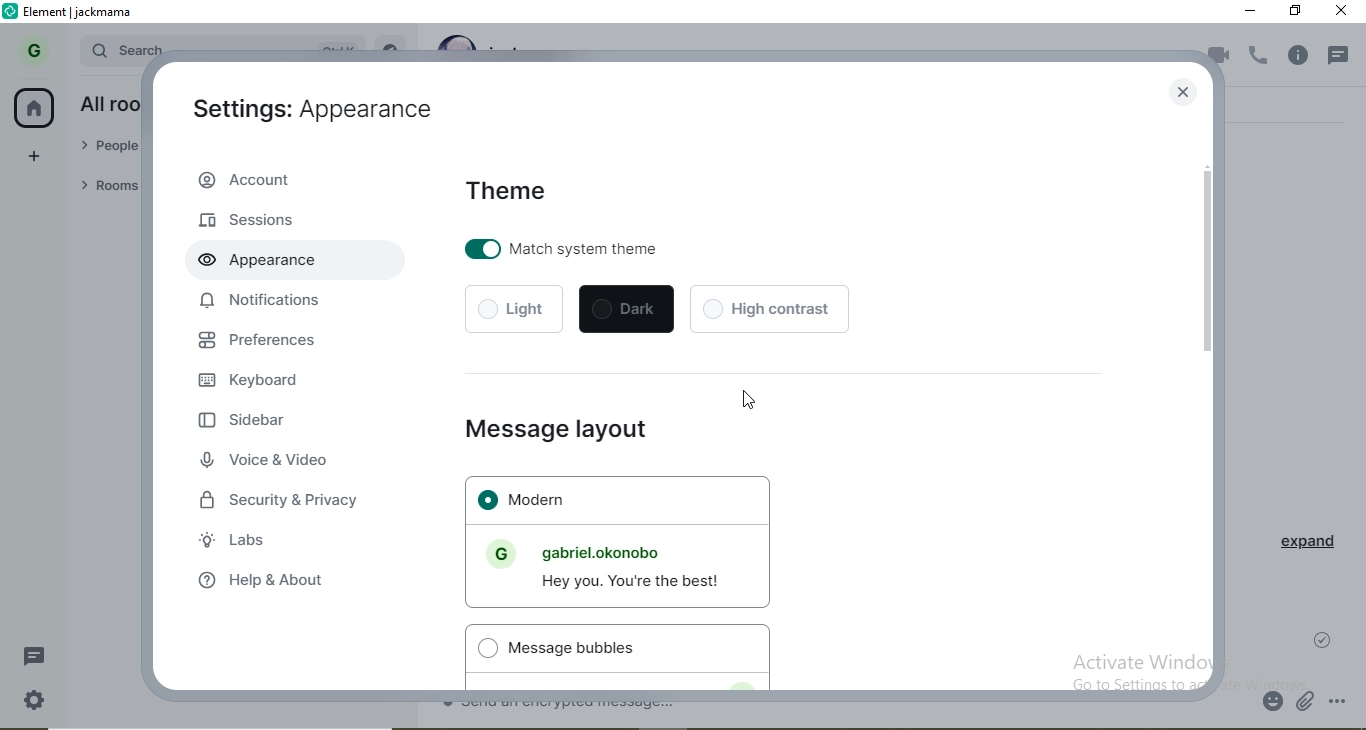 This screenshot has height=730, width=1366. Describe the element at coordinates (497, 554) in the screenshot. I see `profile` at that location.